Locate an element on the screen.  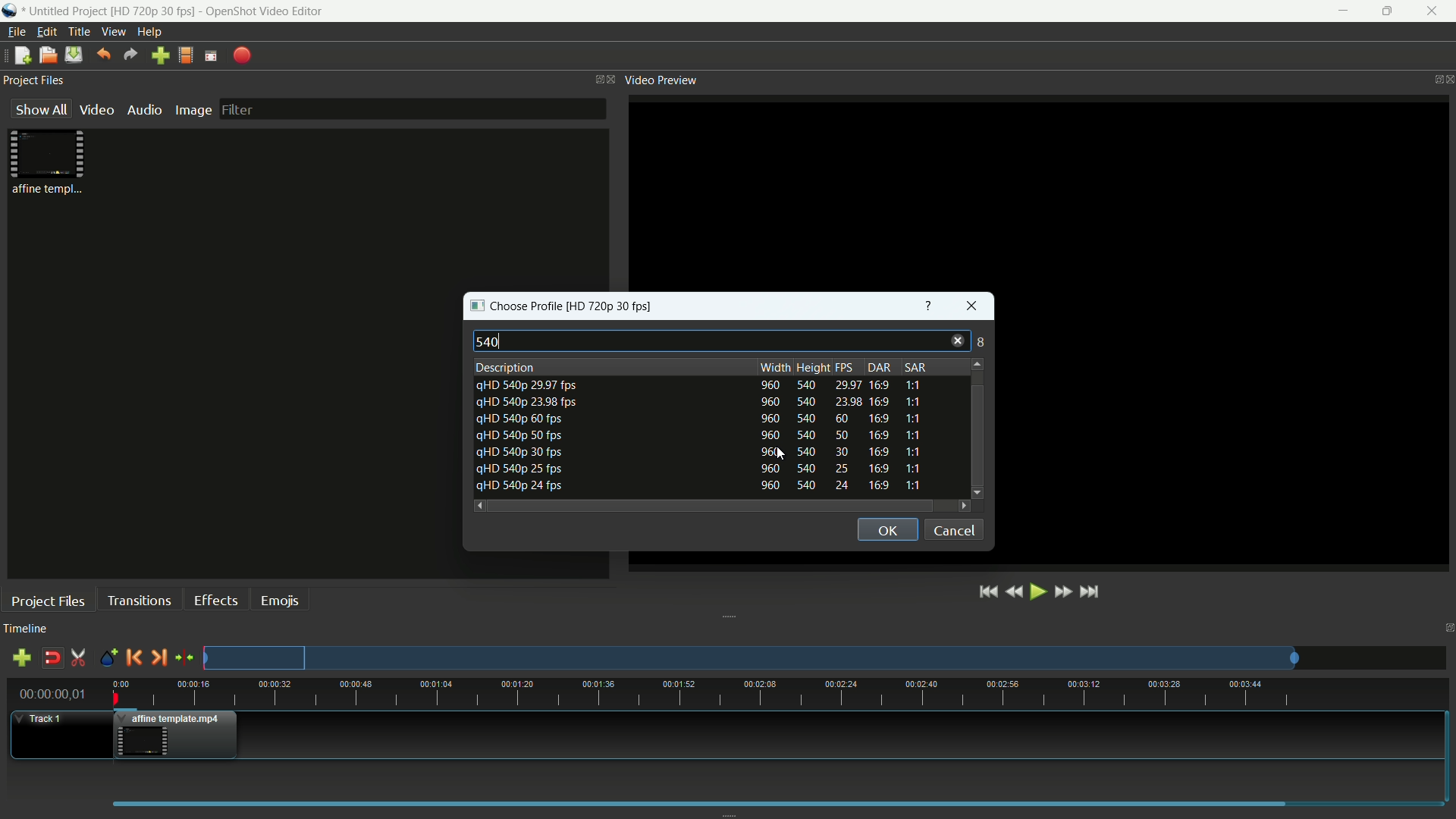
ok is located at coordinates (886, 529).